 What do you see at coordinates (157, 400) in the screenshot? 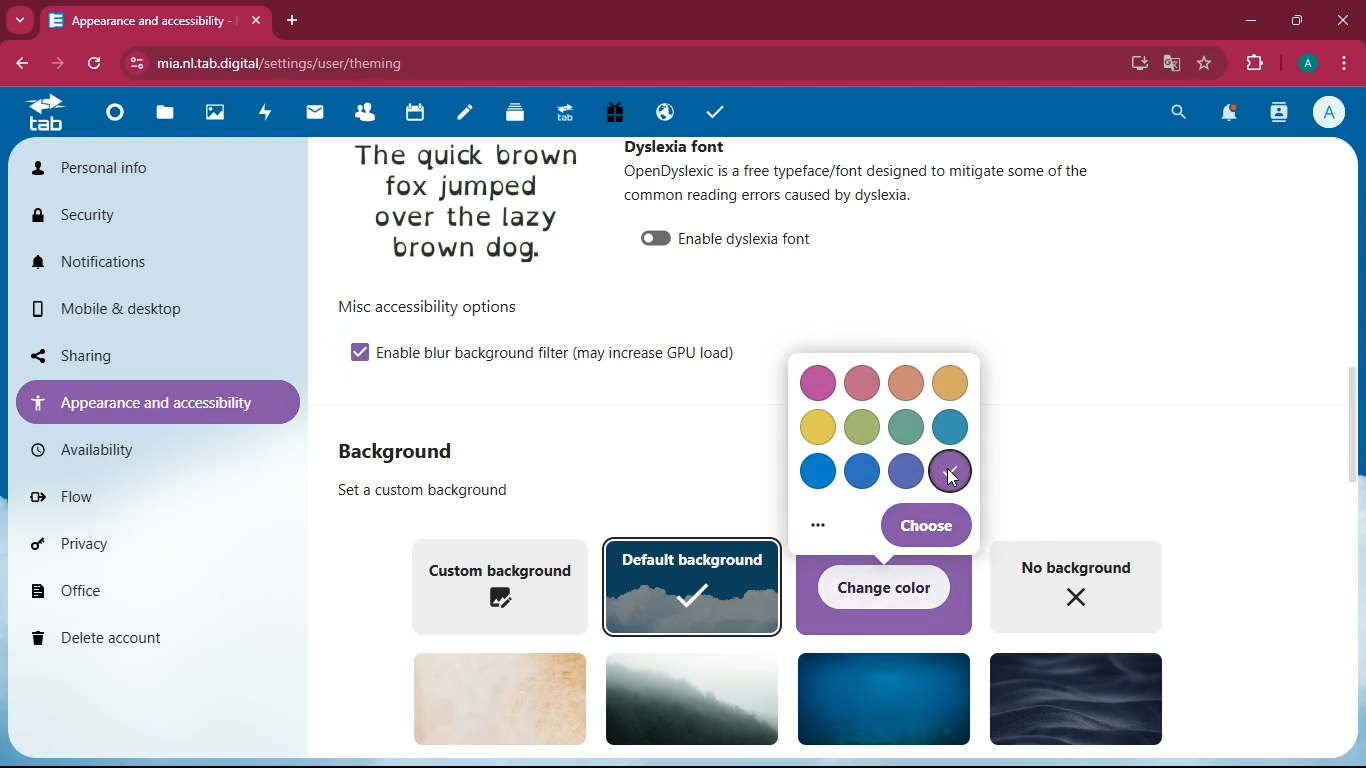
I see `appearance and accessibility ` at bounding box center [157, 400].